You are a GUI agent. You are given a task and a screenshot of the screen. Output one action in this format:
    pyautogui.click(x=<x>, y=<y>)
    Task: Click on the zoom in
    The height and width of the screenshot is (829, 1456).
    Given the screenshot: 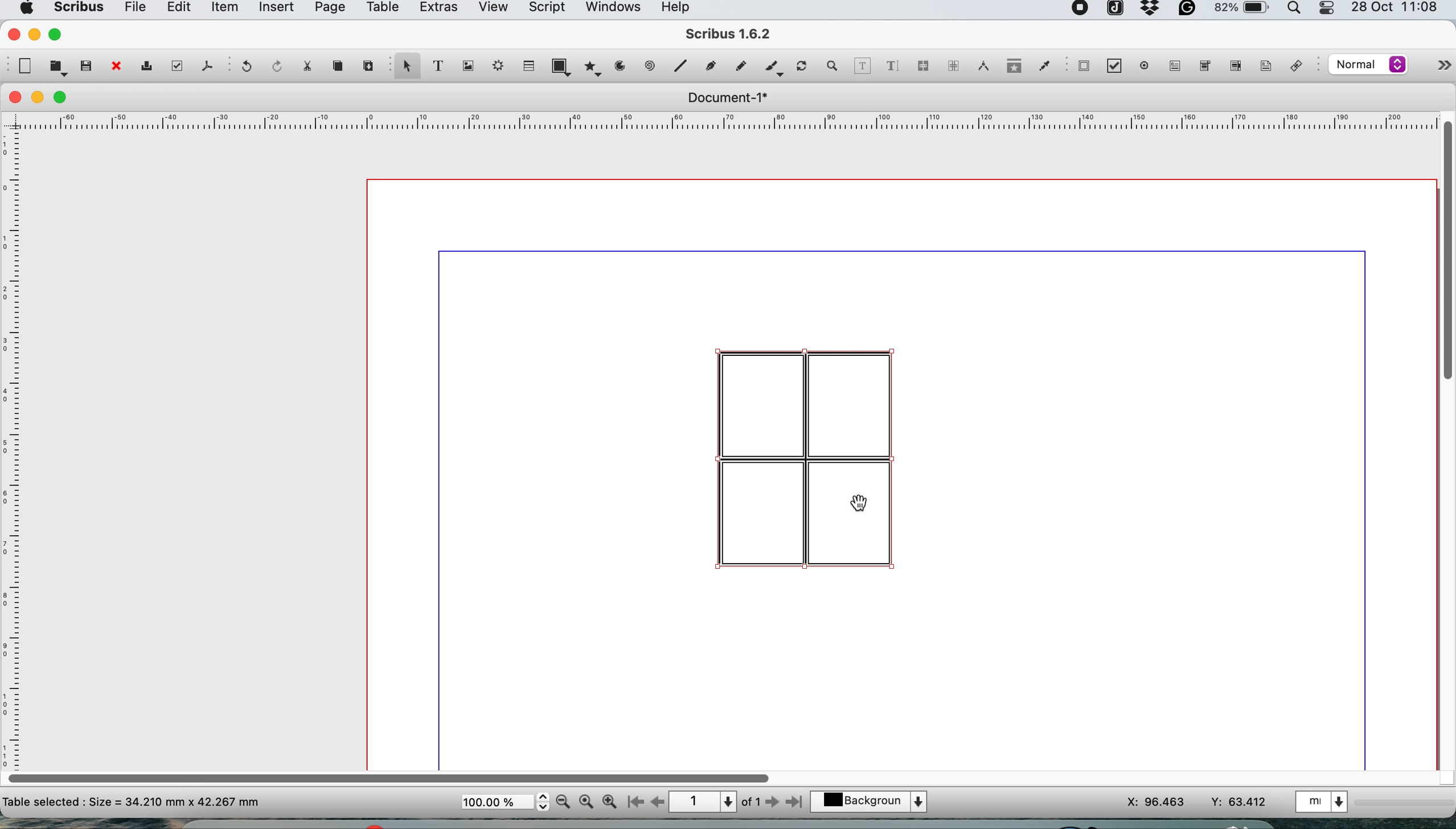 What is the action you would take?
    pyautogui.click(x=610, y=802)
    